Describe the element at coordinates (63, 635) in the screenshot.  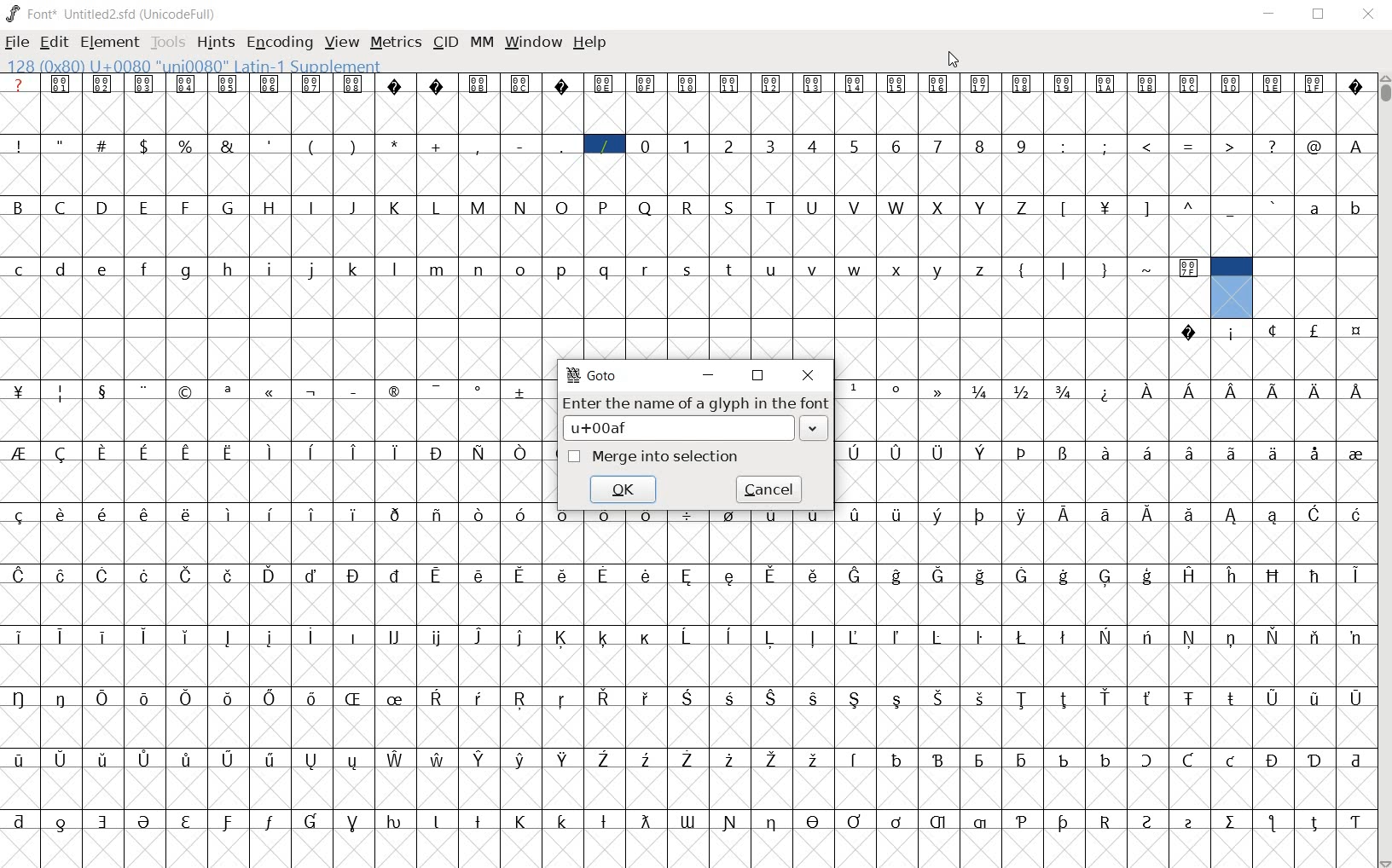
I see `Symbol` at that location.